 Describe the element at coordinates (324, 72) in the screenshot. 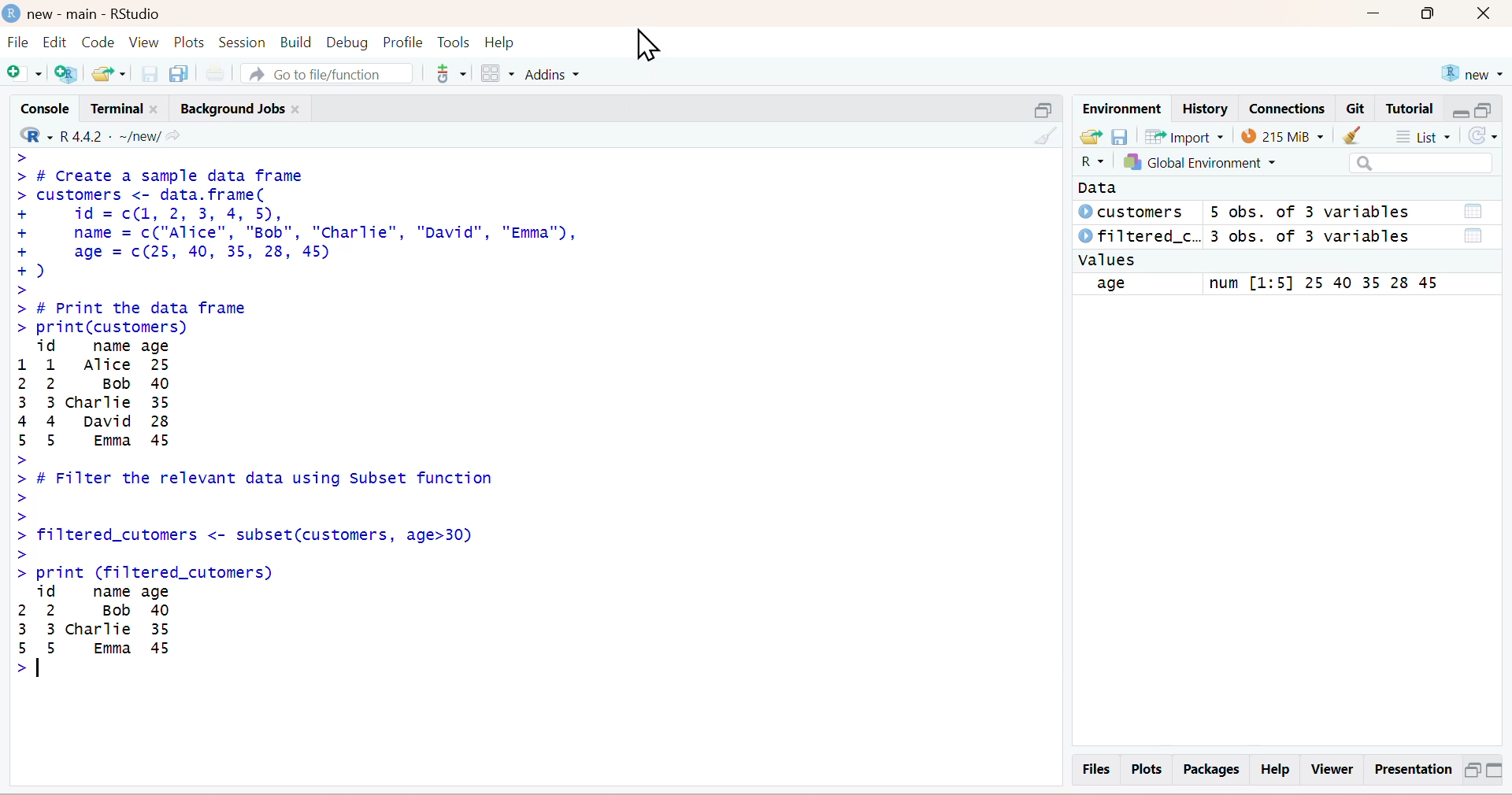

I see `A Go to file/function` at that location.